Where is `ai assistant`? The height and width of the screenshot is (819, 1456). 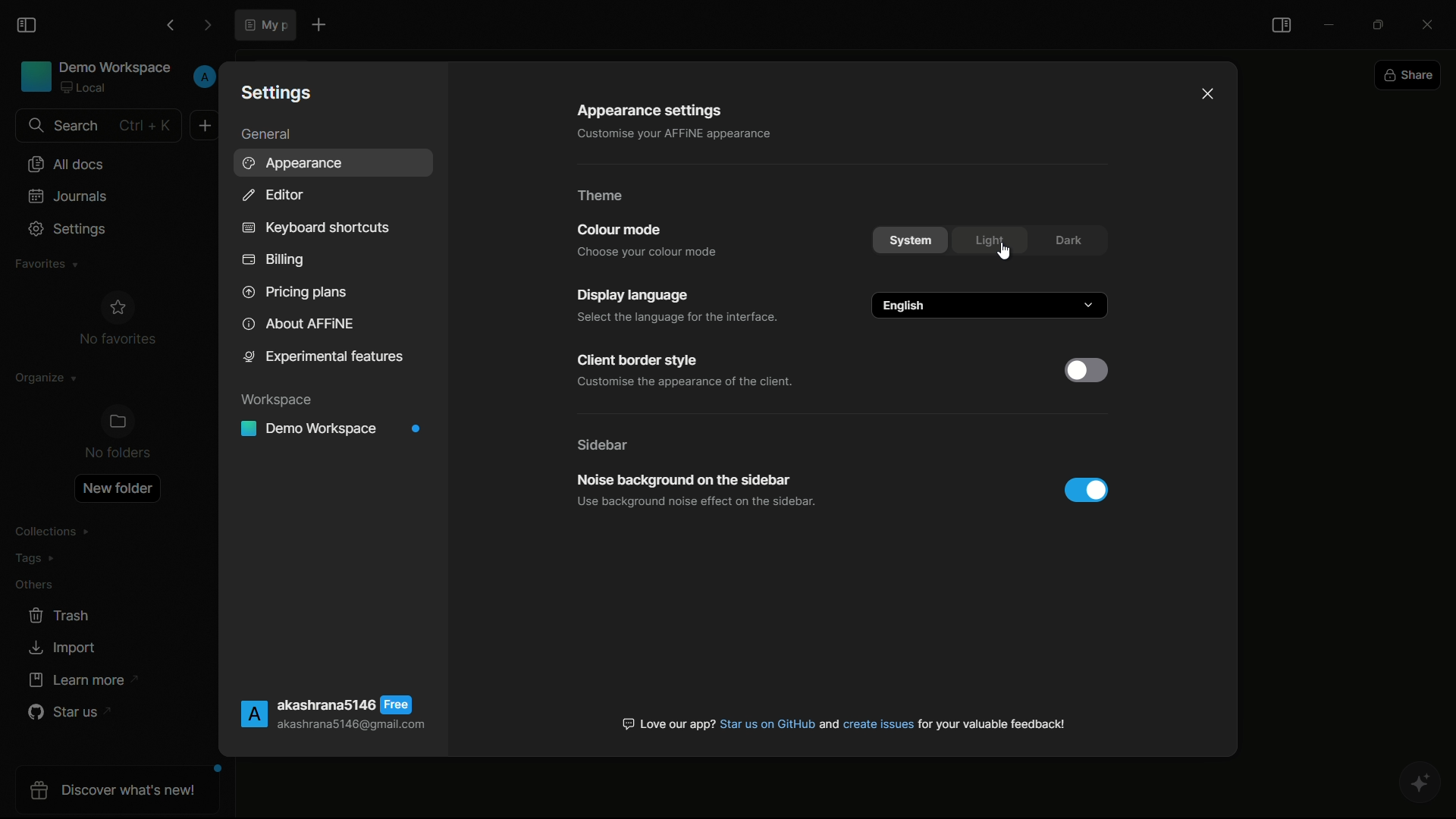
ai assistant is located at coordinates (1423, 785).